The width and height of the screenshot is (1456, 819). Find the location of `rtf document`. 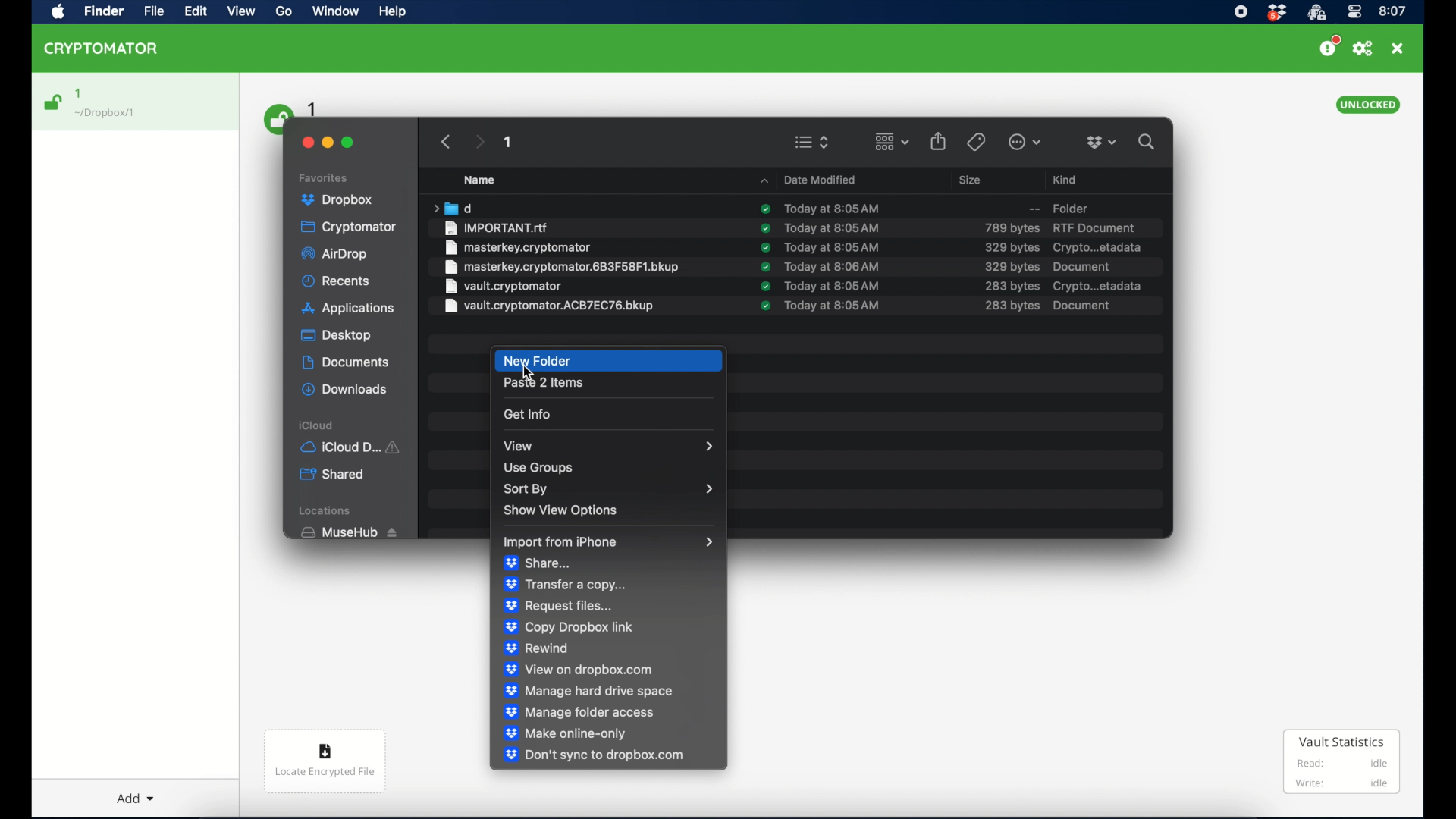

rtf document is located at coordinates (1094, 227).